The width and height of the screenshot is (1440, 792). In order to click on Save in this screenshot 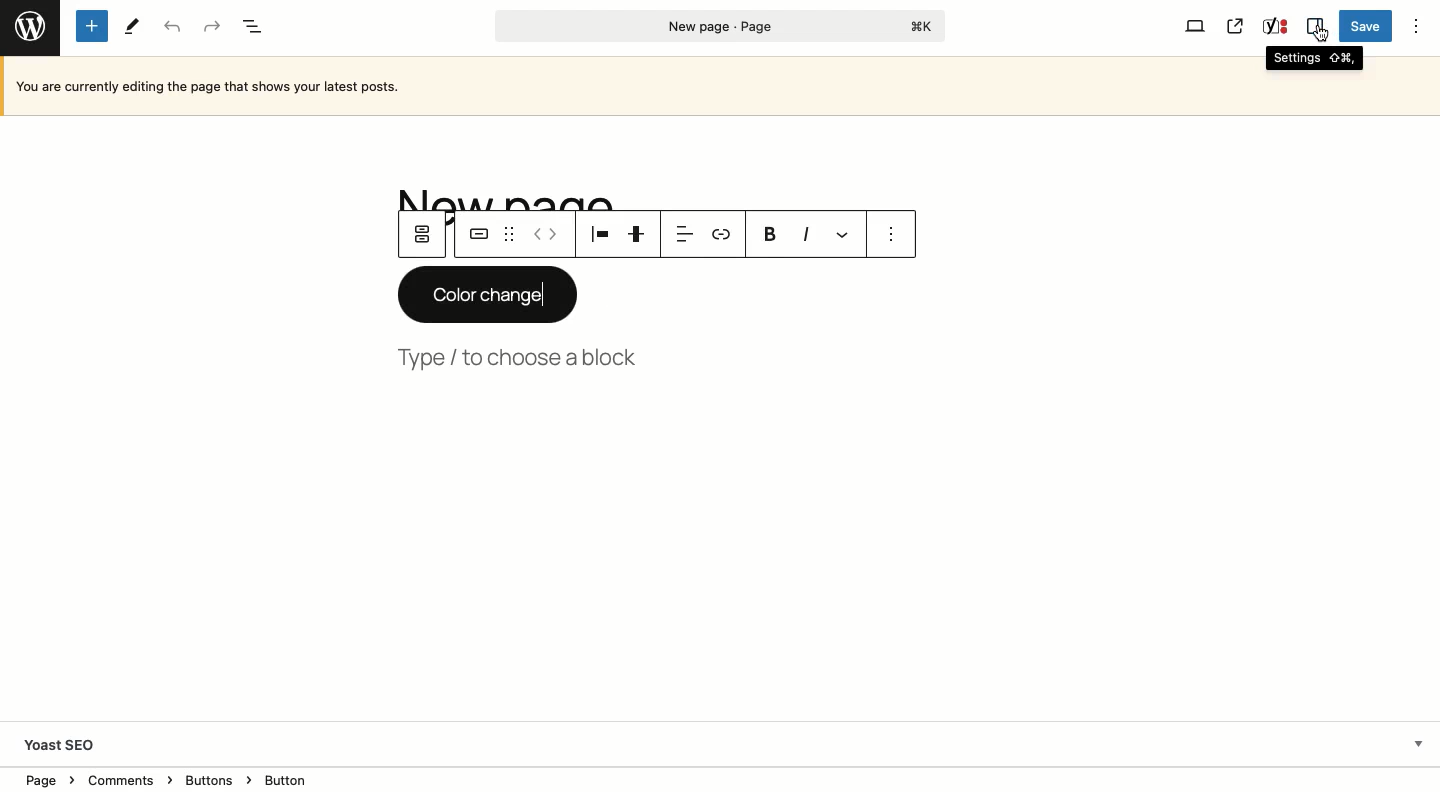, I will do `click(1366, 27)`.